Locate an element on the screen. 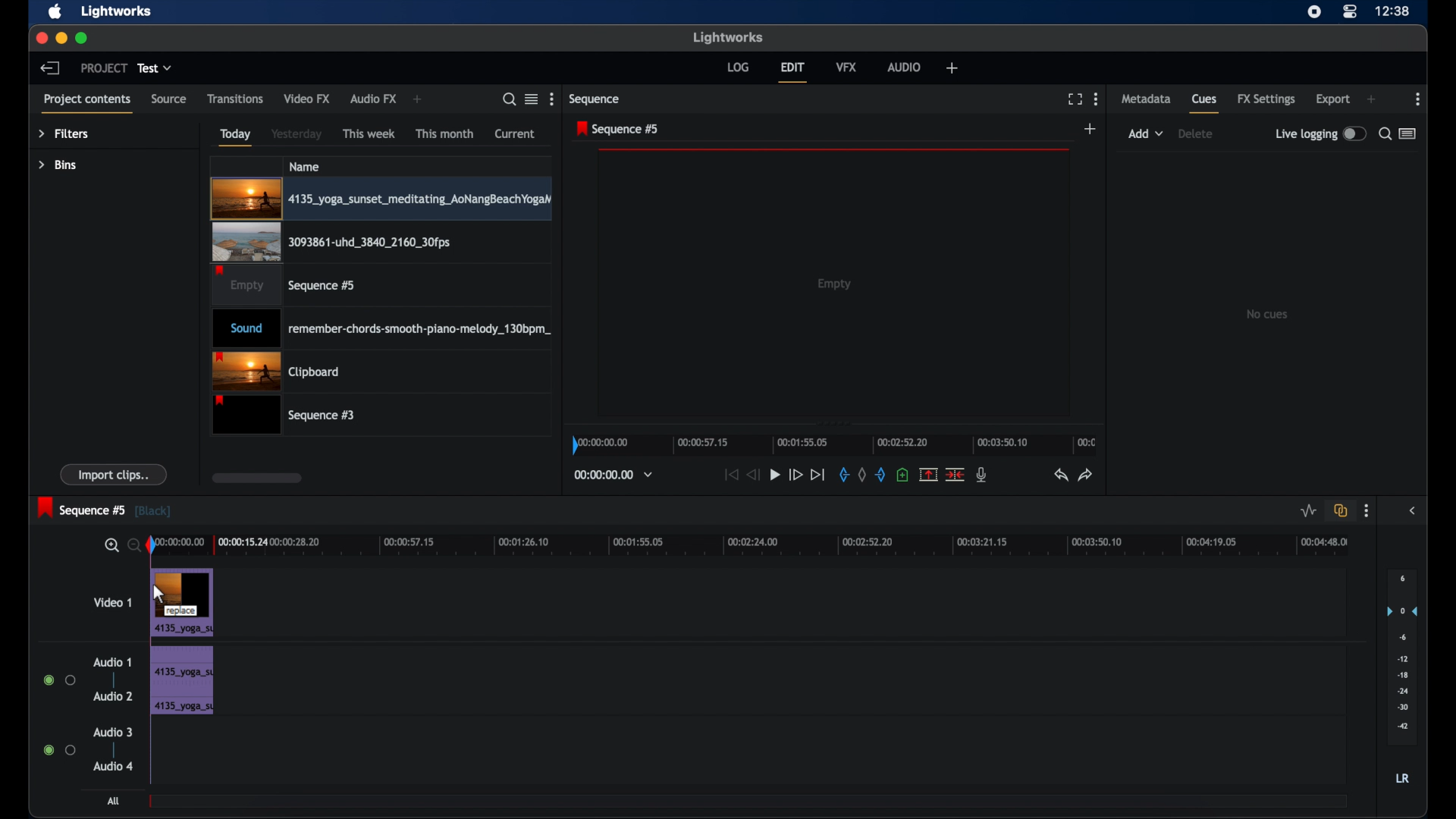 This screenshot has height=819, width=1456. more options is located at coordinates (1367, 511).